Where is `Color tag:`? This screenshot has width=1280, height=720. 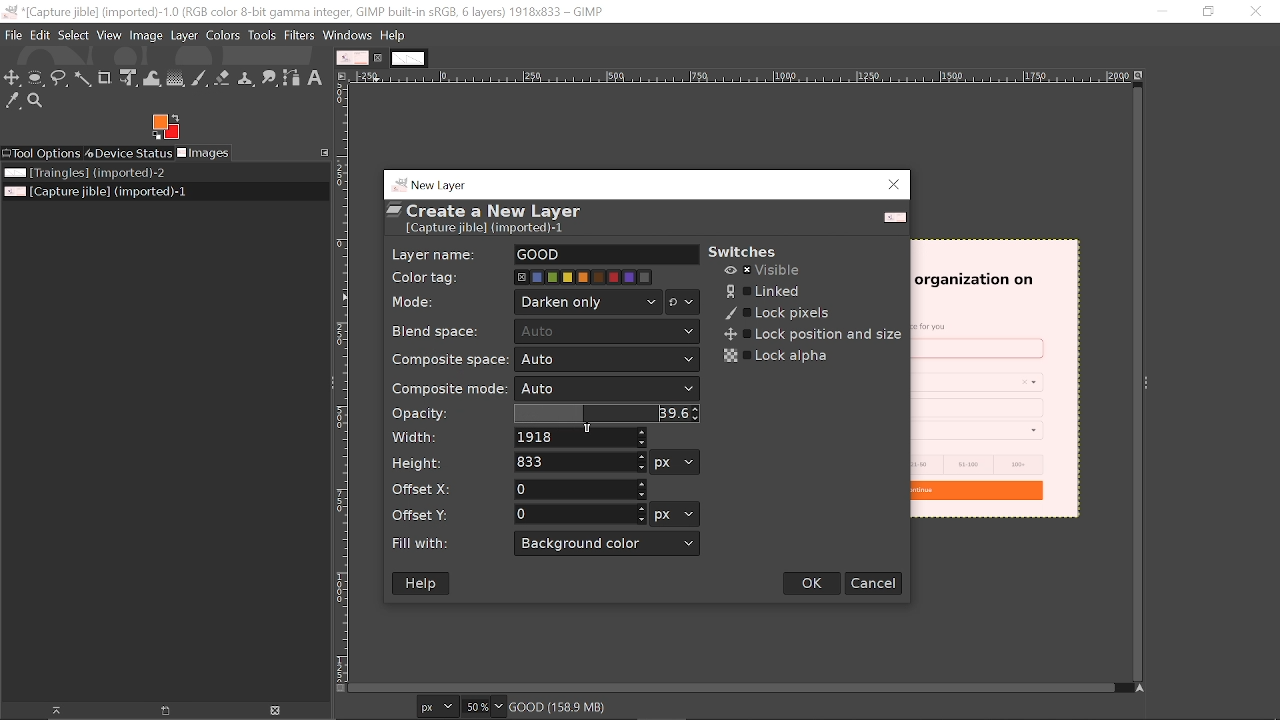
Color tag: is located at coordinates (431, 275).